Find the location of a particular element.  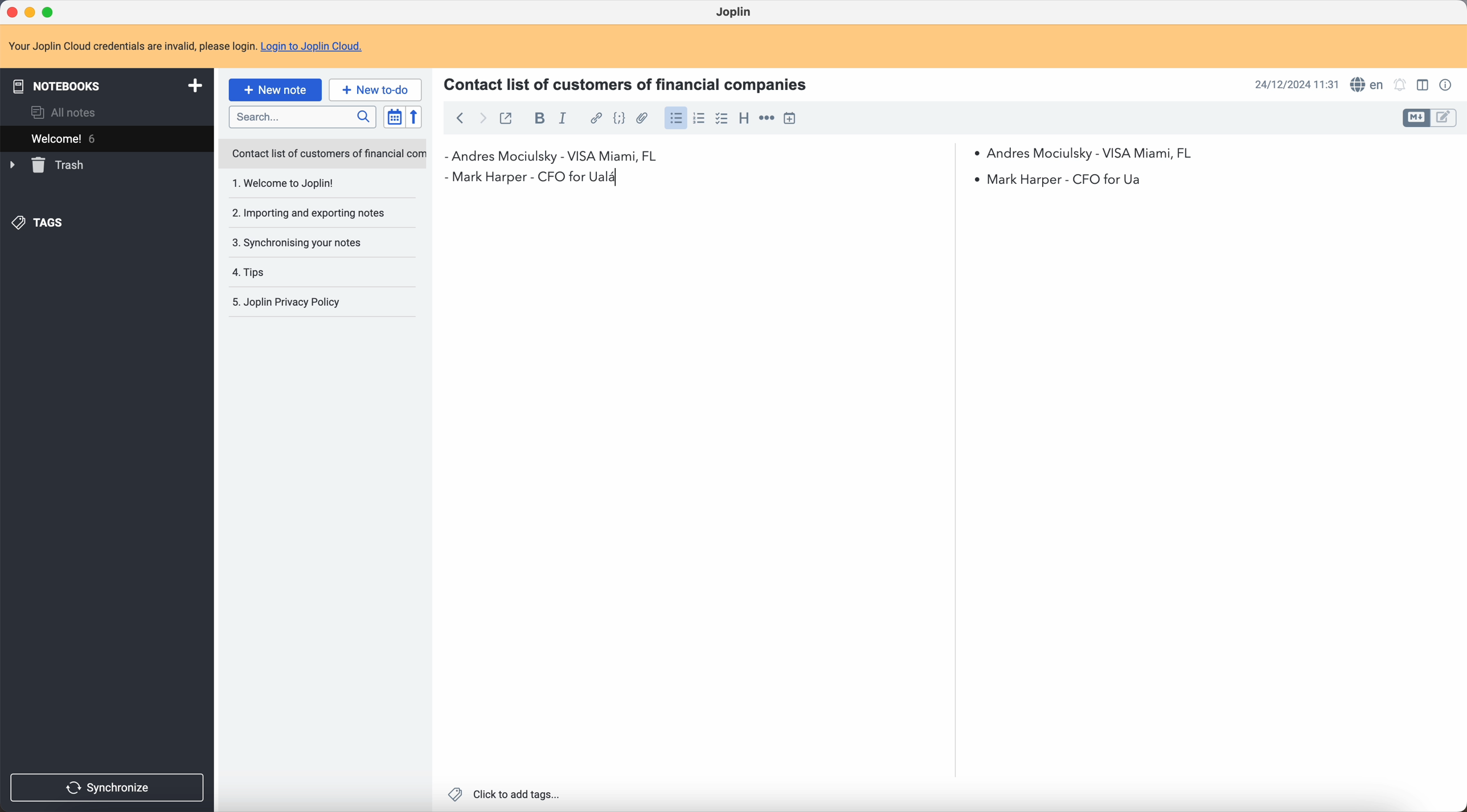

hyperlink is located at coordinates (595, 118).